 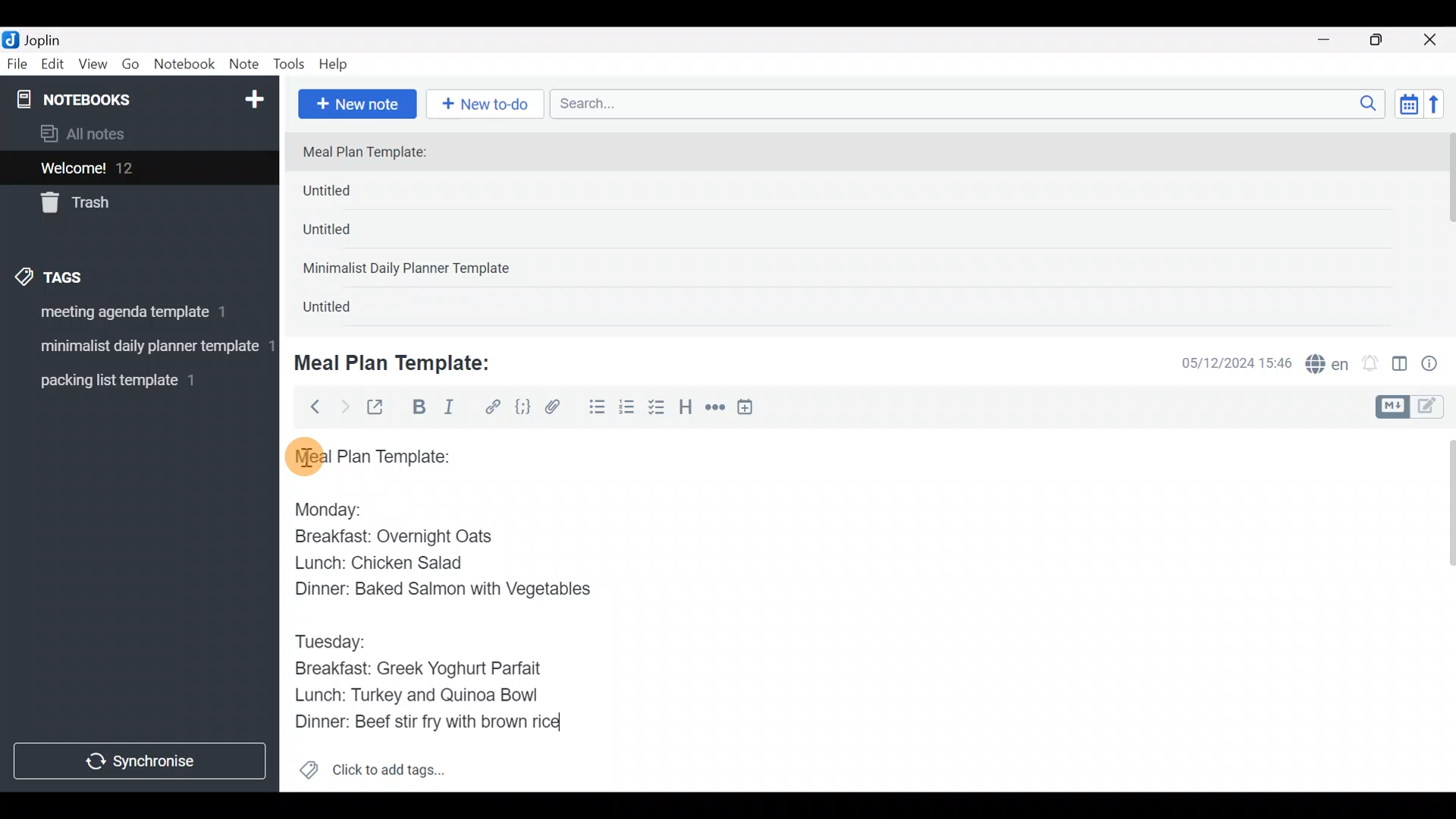 What do you see at coordinates (93, 67) in the screenshot?
I see `View` at bounding box center [93, 67].